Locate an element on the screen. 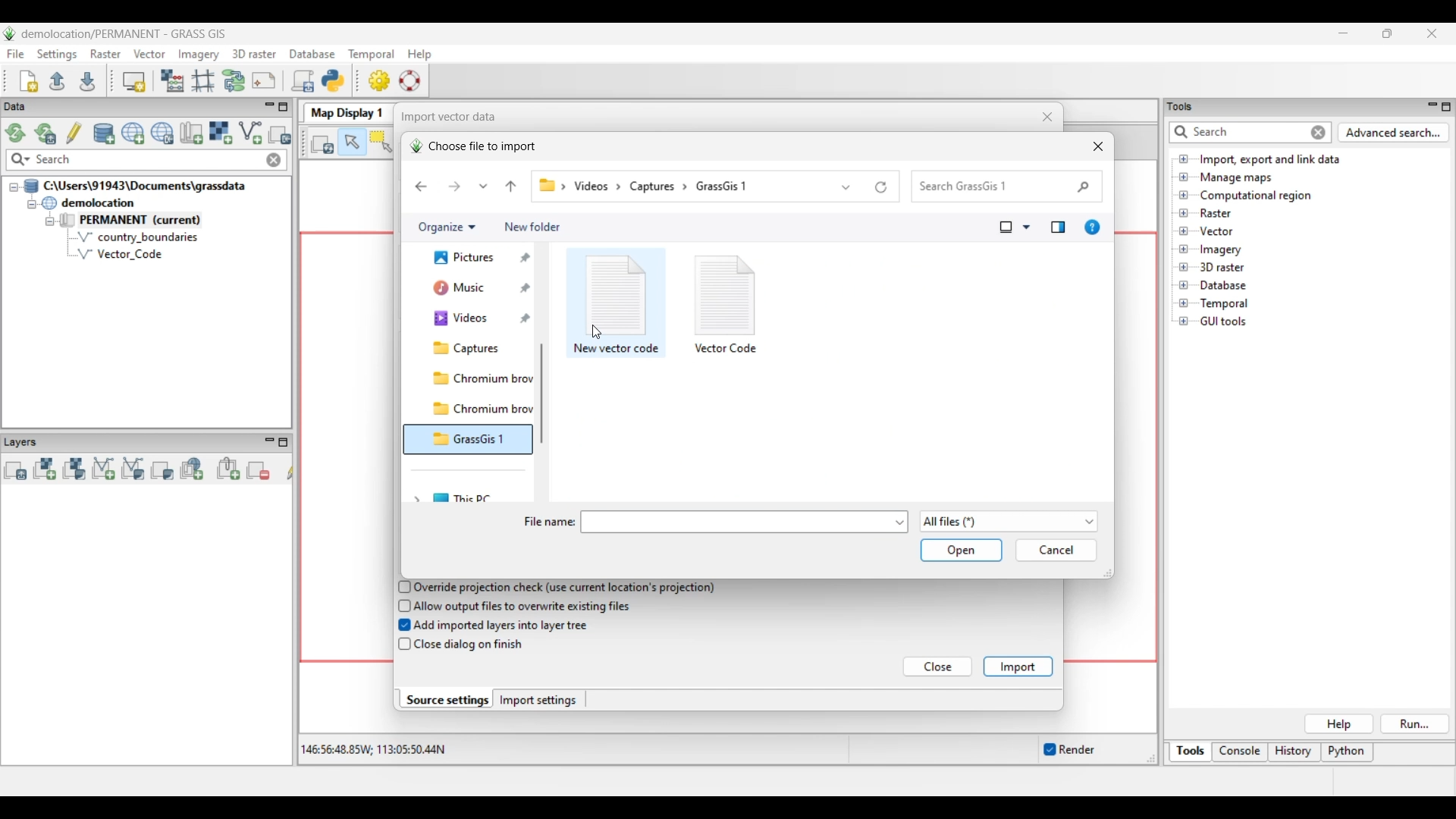  Click to open files under Vector is located at coordinates (1184, 231).